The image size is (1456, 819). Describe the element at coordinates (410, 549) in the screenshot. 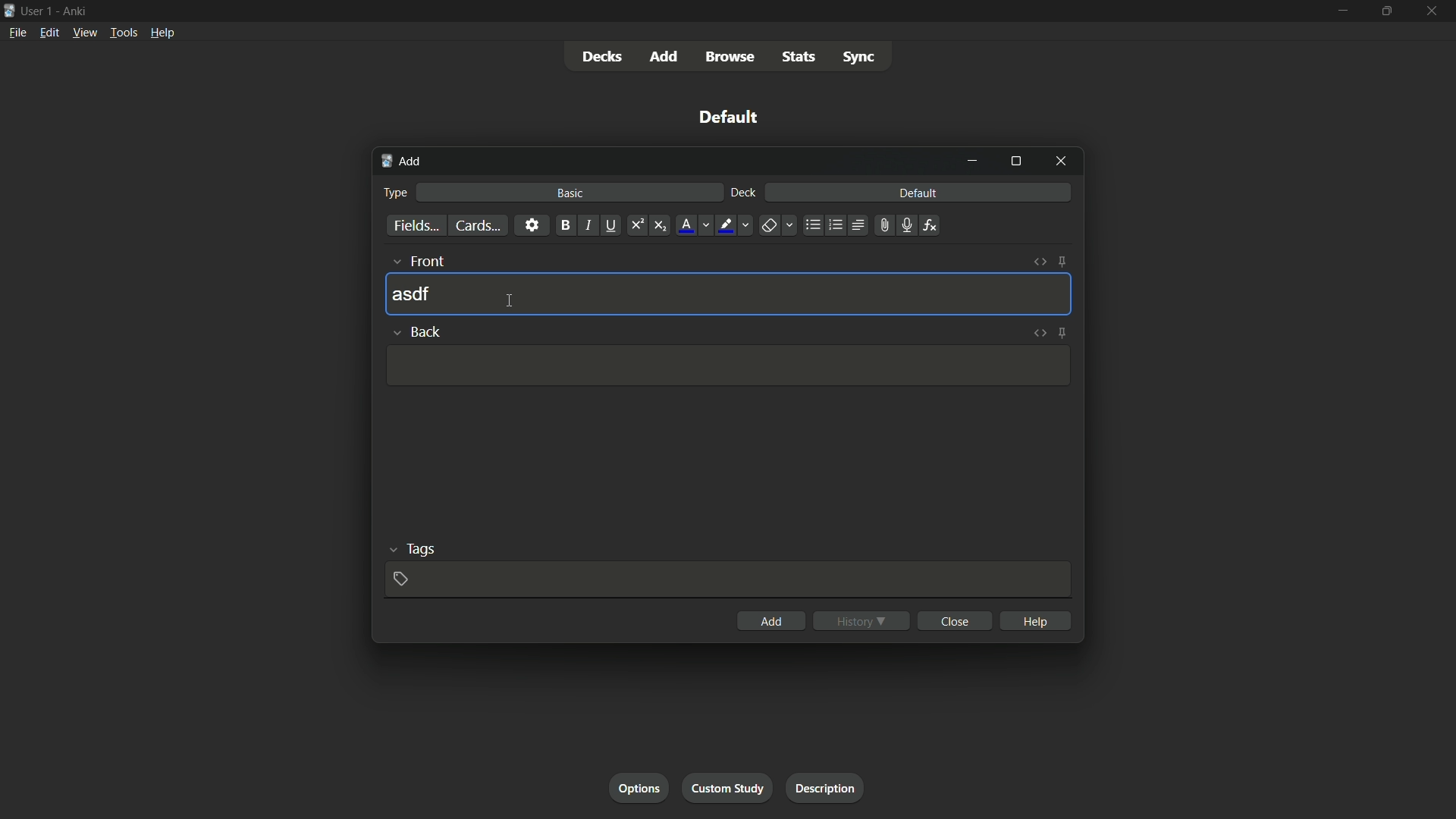

I see `tags` at that location.